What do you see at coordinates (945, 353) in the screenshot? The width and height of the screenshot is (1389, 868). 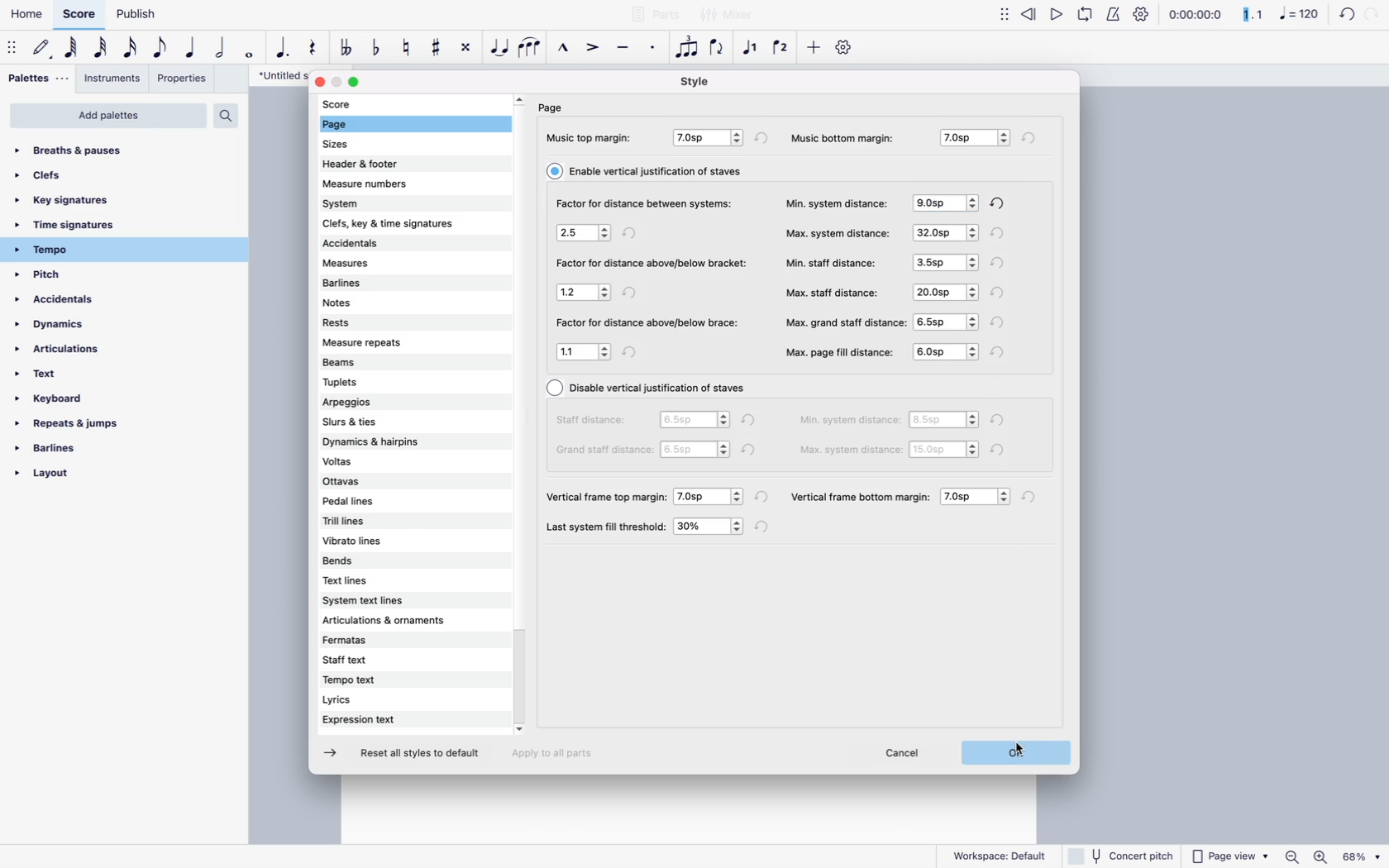 I see `options` at bounding box center [945, 353].